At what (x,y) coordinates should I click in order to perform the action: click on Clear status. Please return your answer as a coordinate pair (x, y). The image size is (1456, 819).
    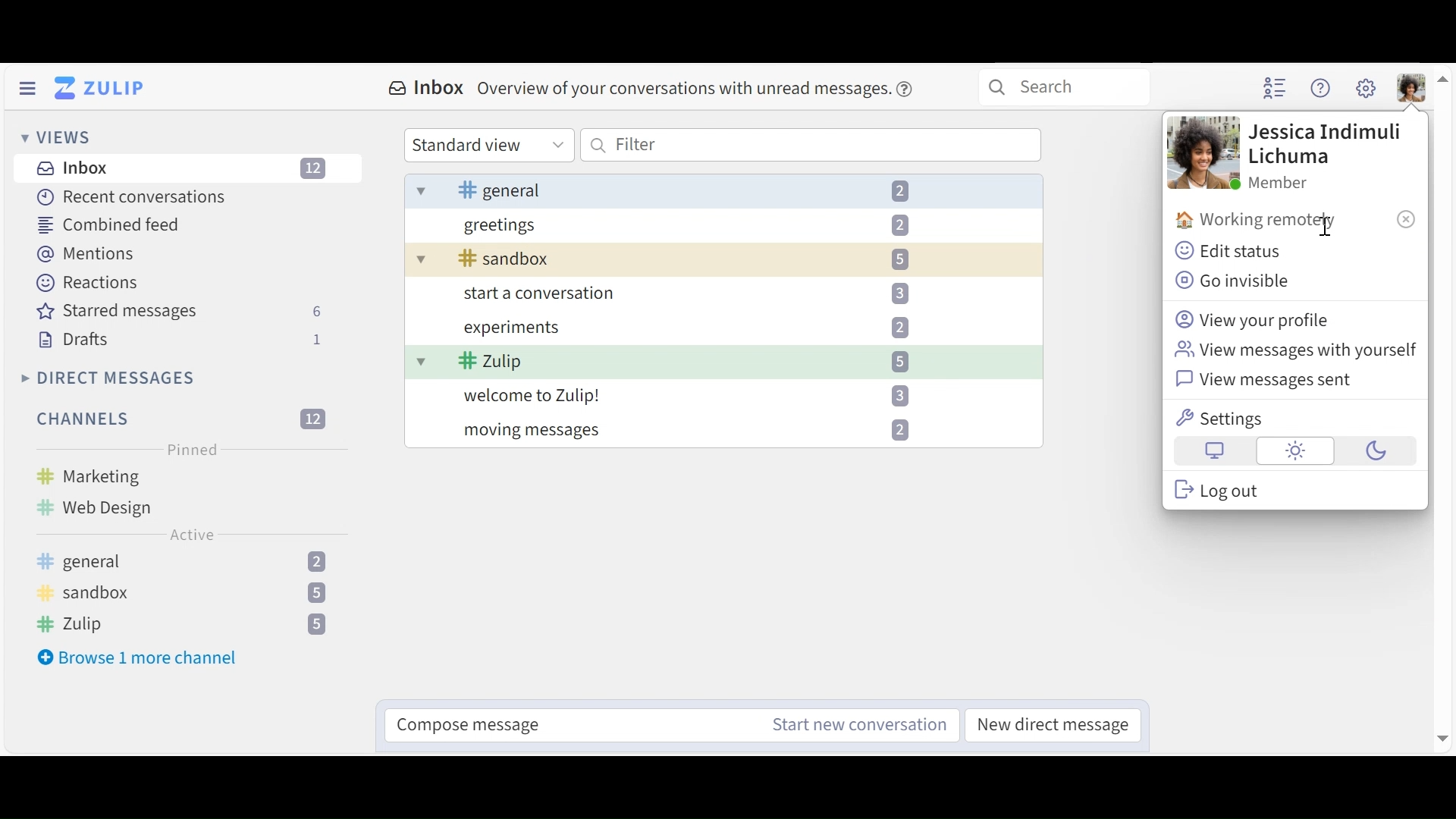
    Looking at the image, I should click on (1407, 220).